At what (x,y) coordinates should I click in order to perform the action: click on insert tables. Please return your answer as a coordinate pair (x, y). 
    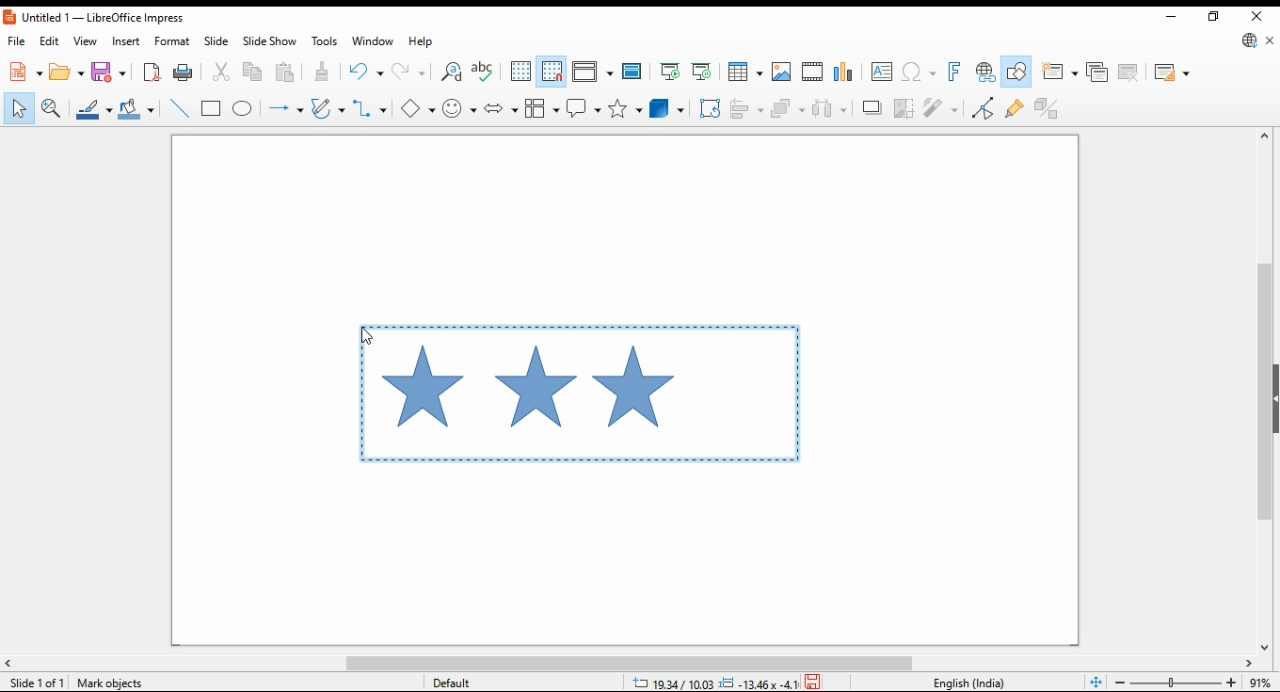
    Looking at the image, I should click on (746, 70).